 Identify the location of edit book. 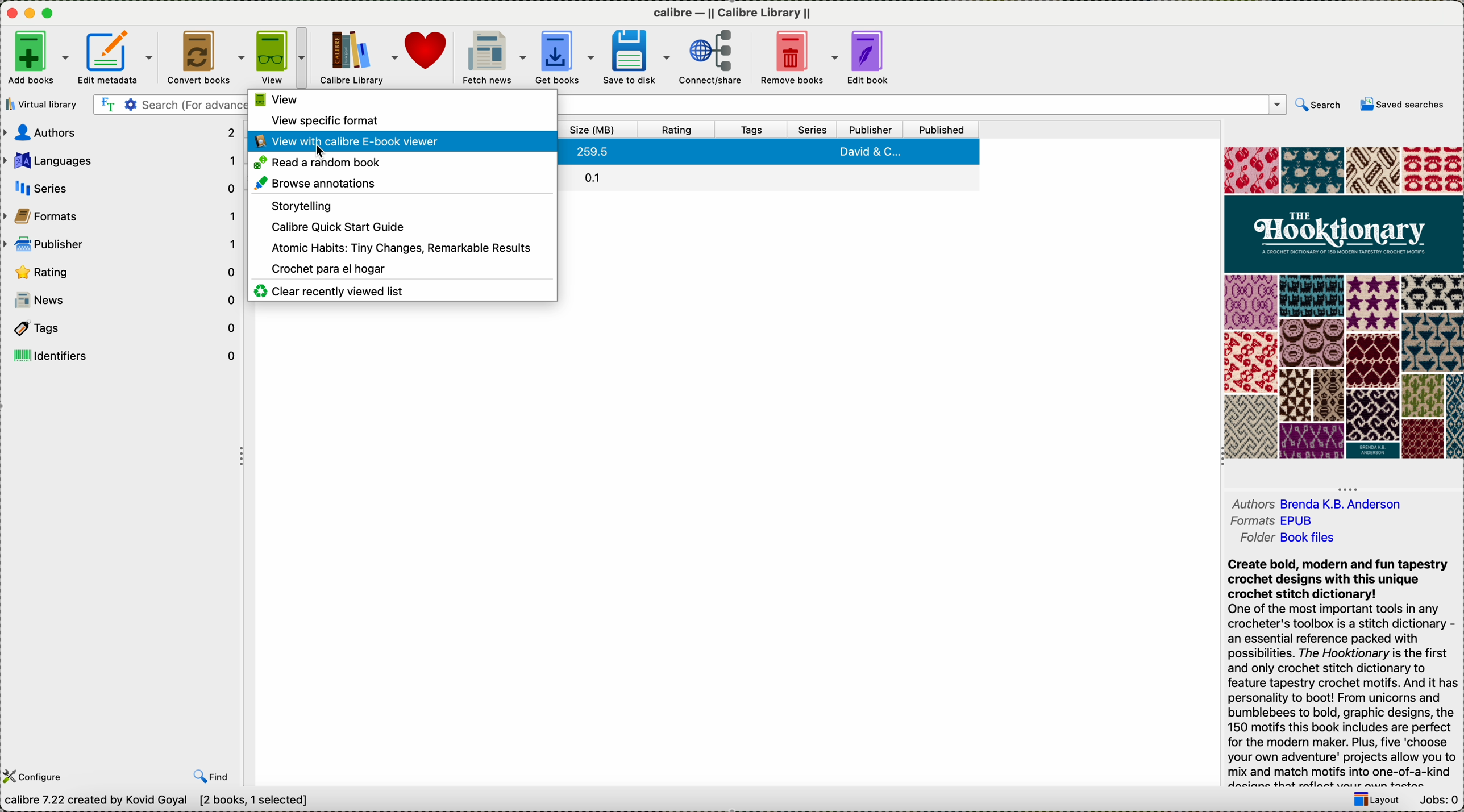
(869, 56).